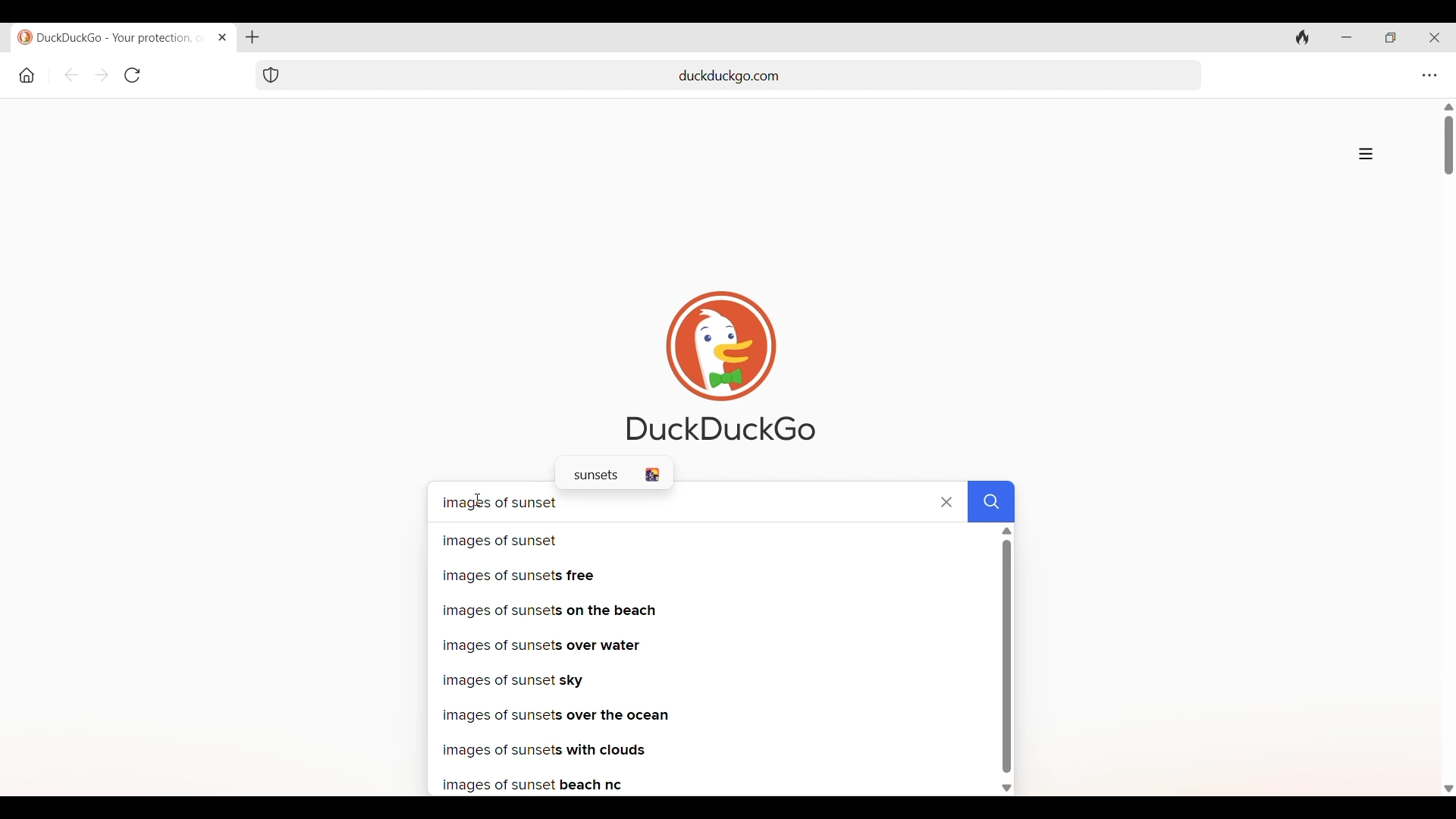  Describe the element at coordinates (1303, 37) in the screenshot. I see `Clear history` at that location.